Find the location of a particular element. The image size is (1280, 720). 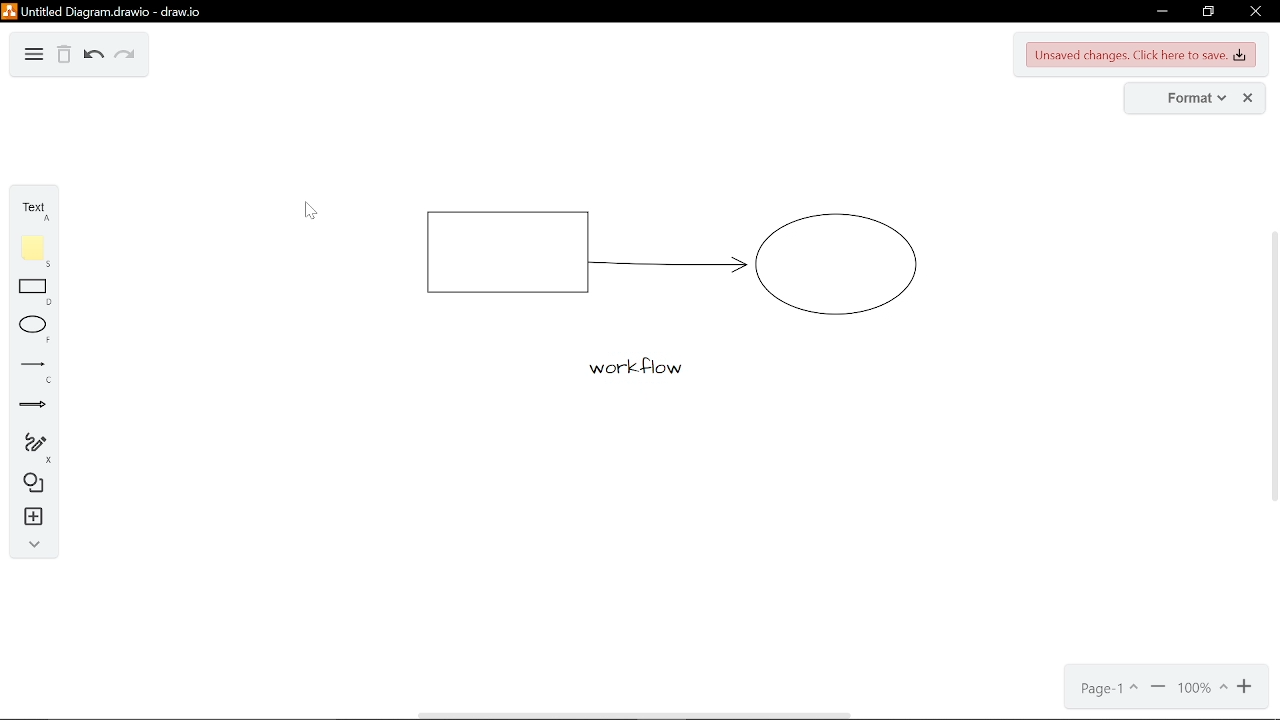

diagram is located at coordinates (33, 57).